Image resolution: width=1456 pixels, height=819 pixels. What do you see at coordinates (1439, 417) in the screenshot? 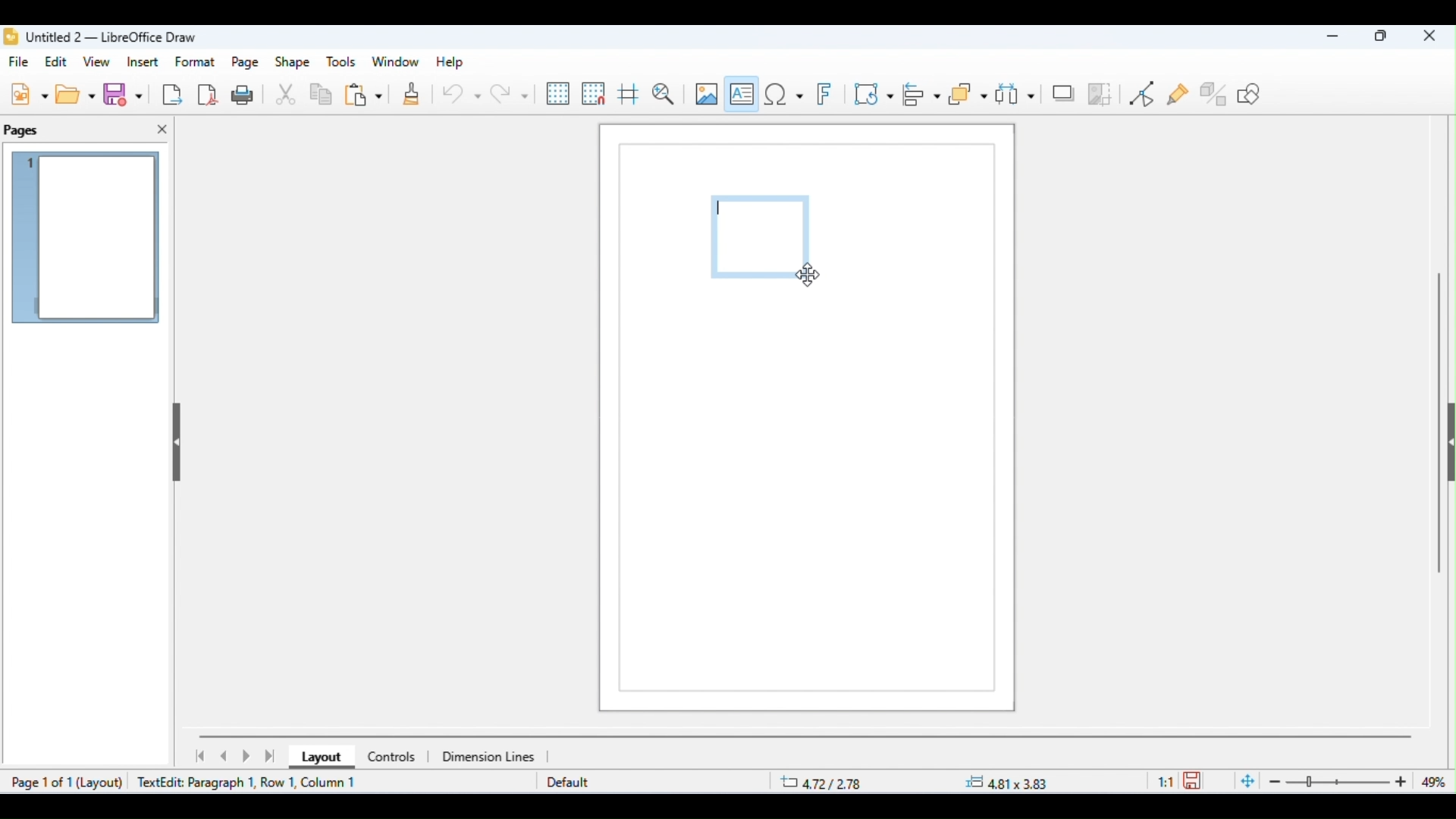
I see `vertical scroll bar` at bounding box center [1439, 417].